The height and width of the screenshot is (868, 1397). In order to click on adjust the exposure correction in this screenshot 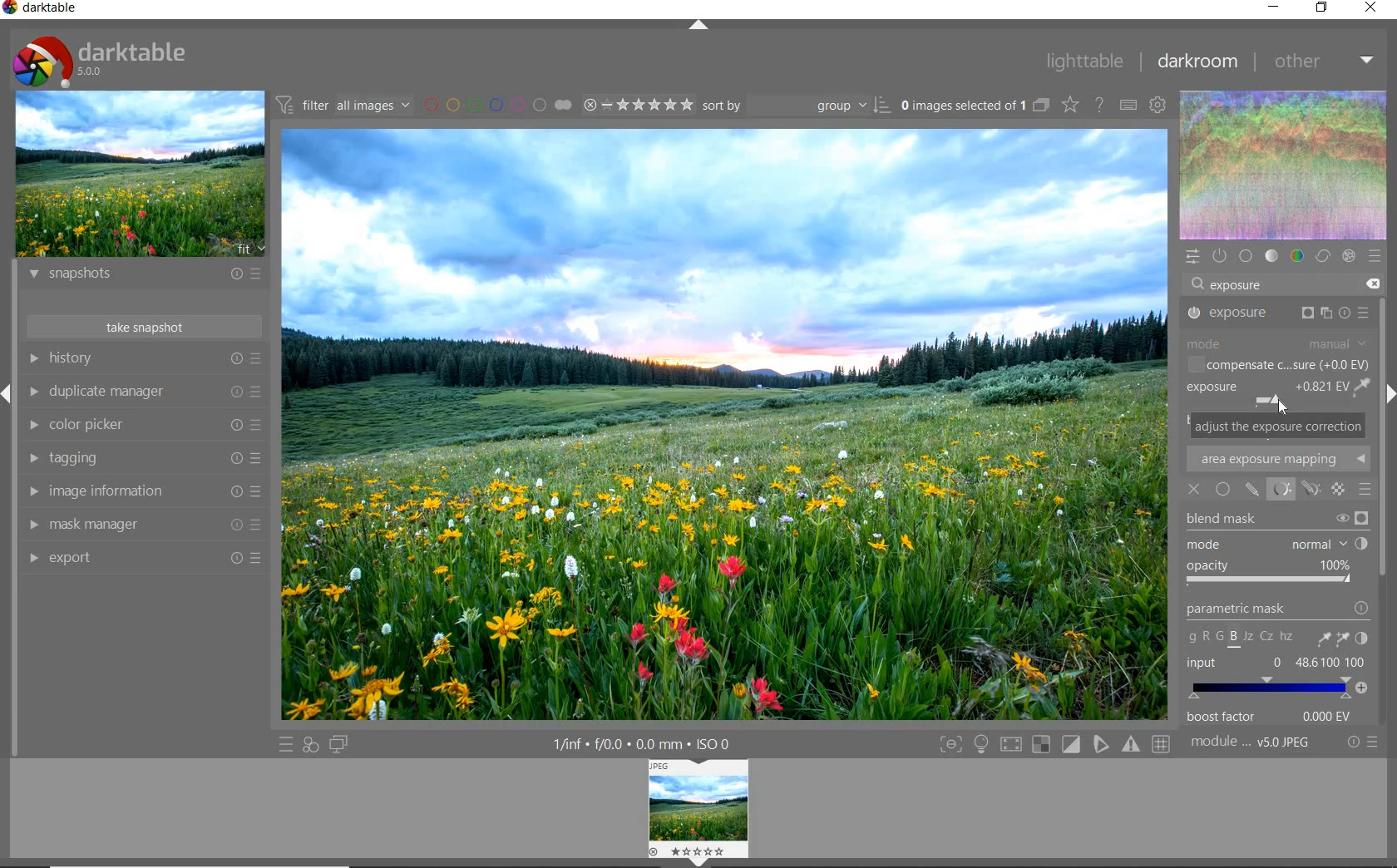, I will do `click(1278, 426)`.